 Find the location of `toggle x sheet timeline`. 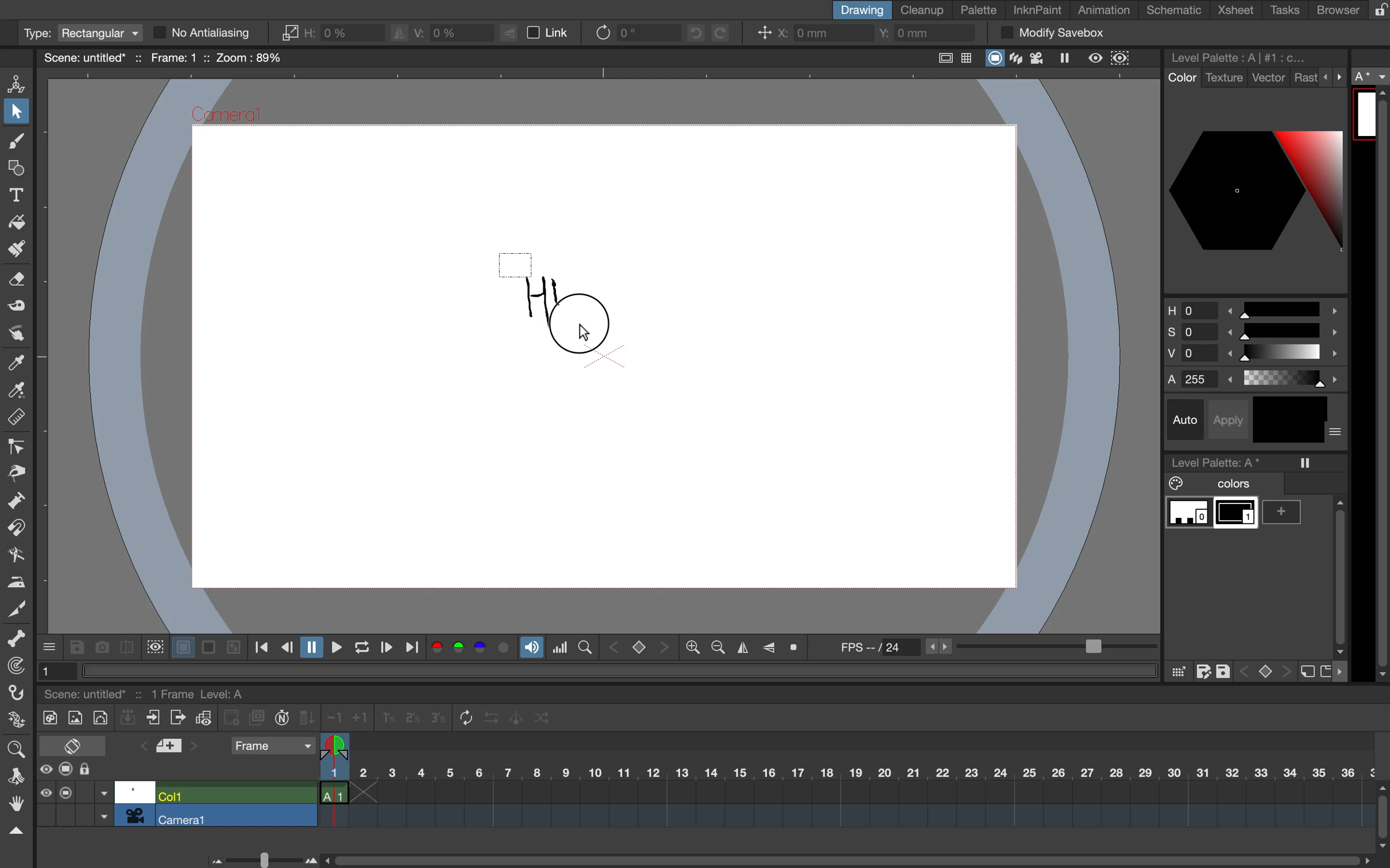

toggle x sheet timeline is located at coordinates (72, 745).